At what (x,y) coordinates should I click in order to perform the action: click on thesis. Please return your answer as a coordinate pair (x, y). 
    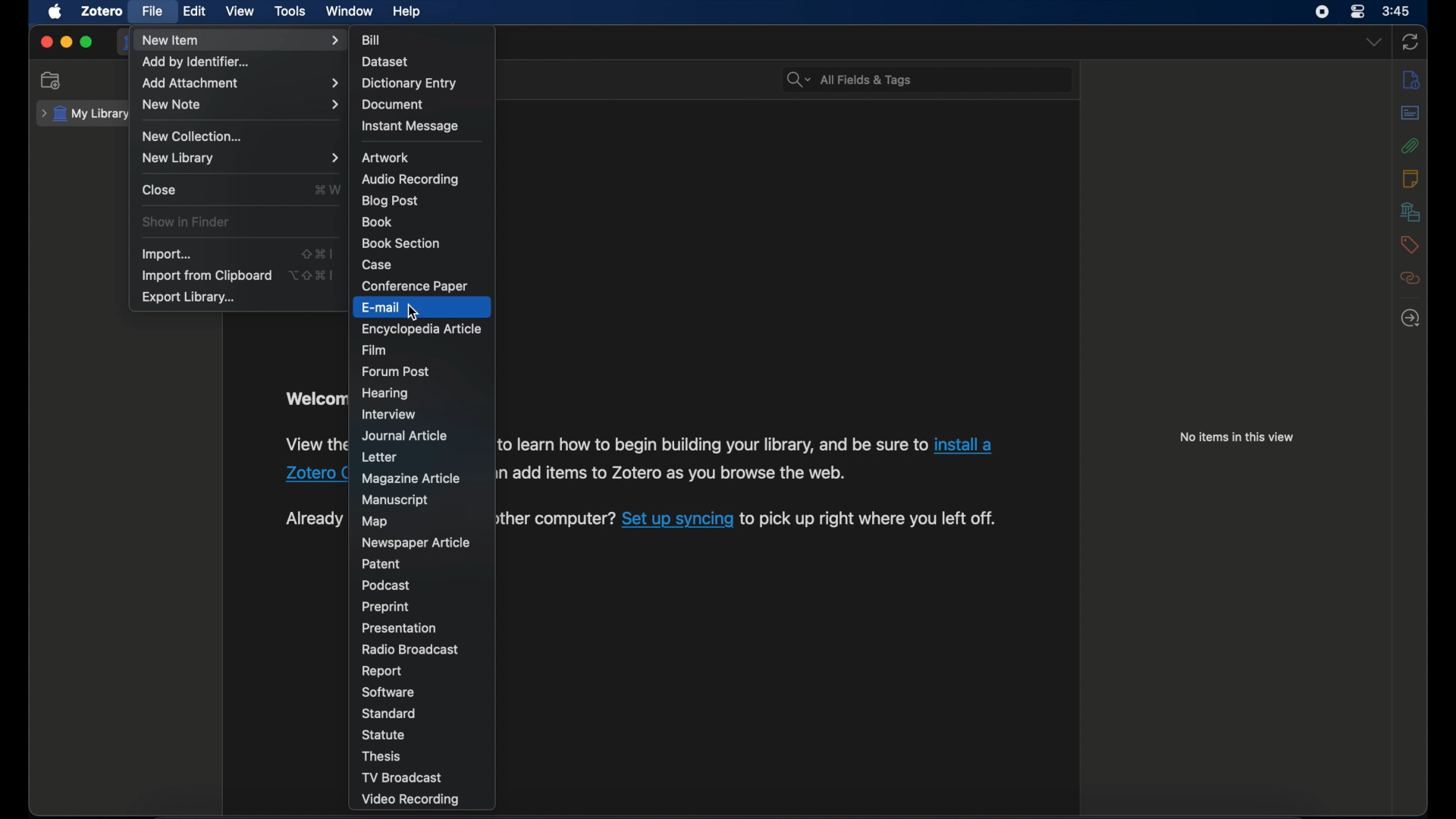
    Looking at the image, I should click on (384, 755).